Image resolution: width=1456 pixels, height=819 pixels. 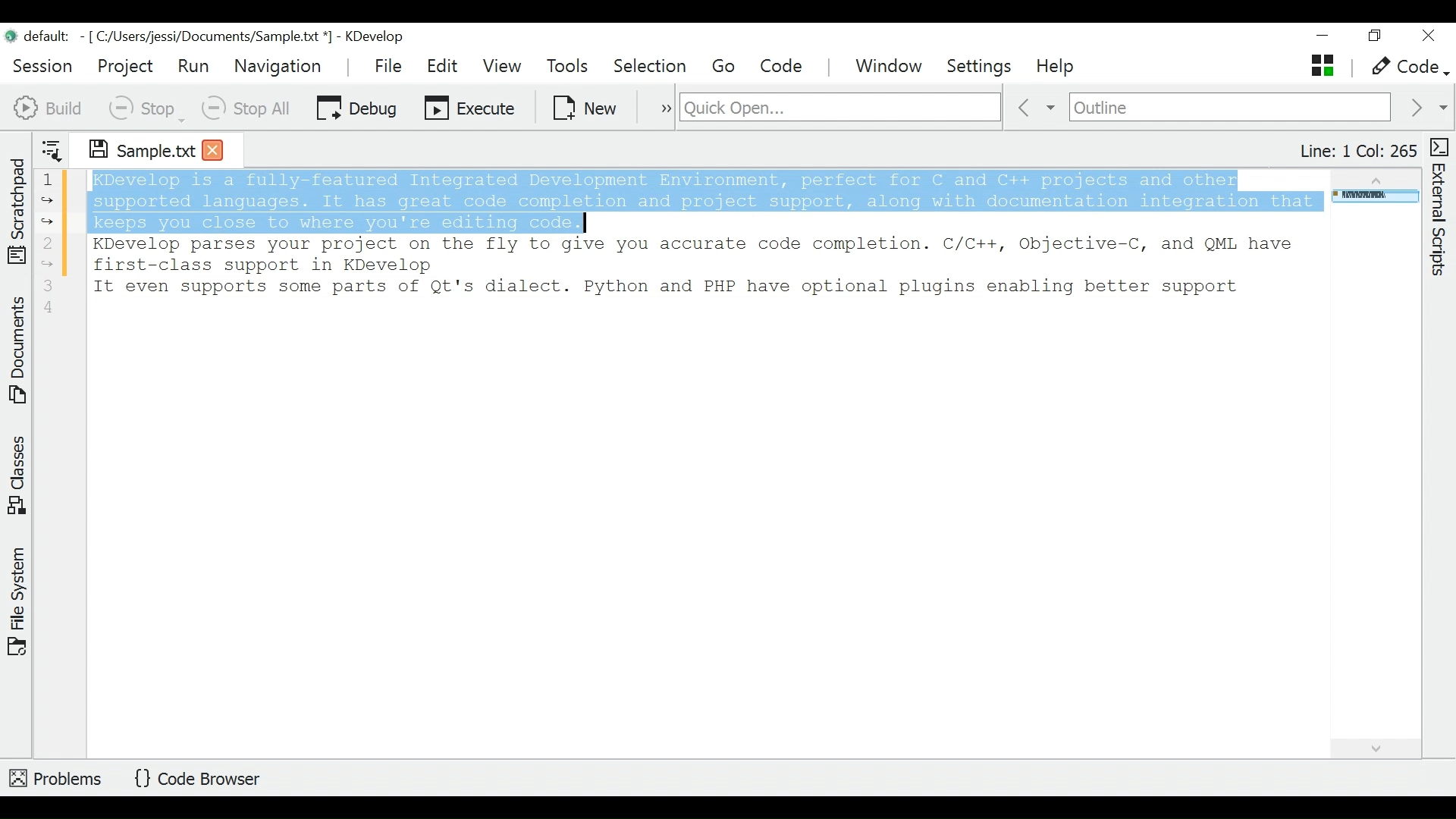 What do you see at coordinates (20, 353) in the screenshot?
I see `Documents` at bounding box center [20, 353].